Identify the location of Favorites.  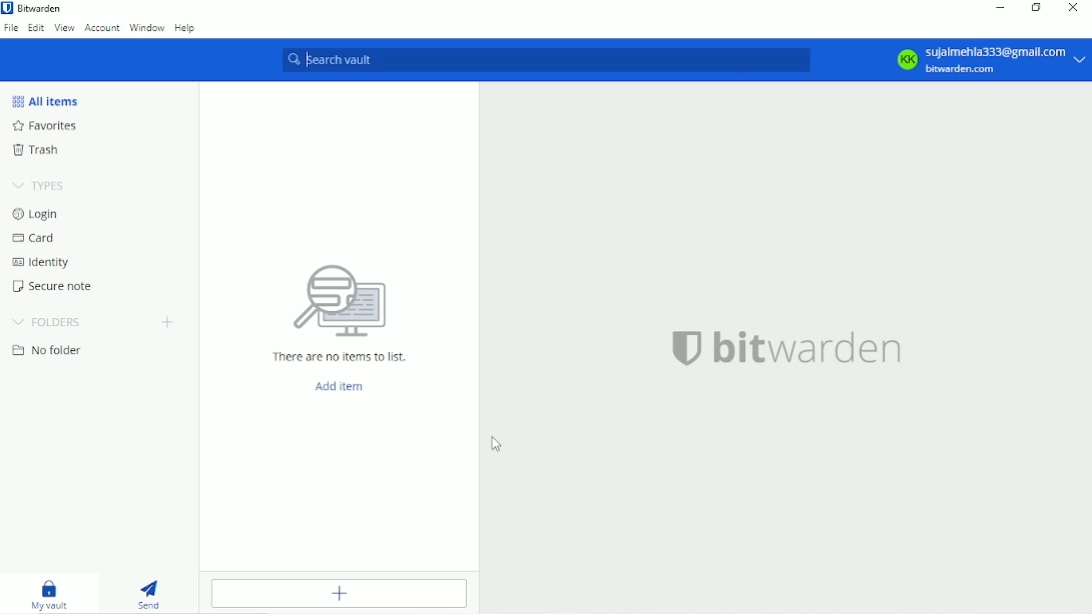
(49, 127).